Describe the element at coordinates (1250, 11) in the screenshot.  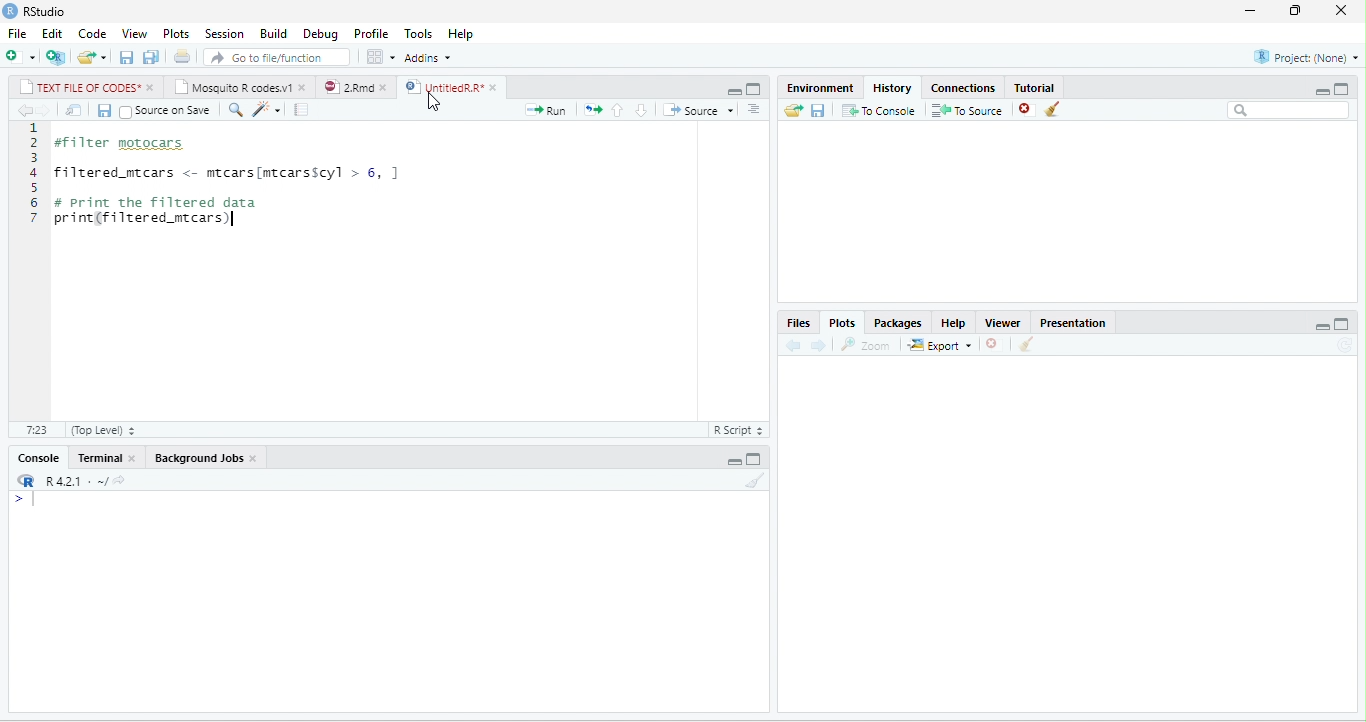
I see `minimize` at that location.